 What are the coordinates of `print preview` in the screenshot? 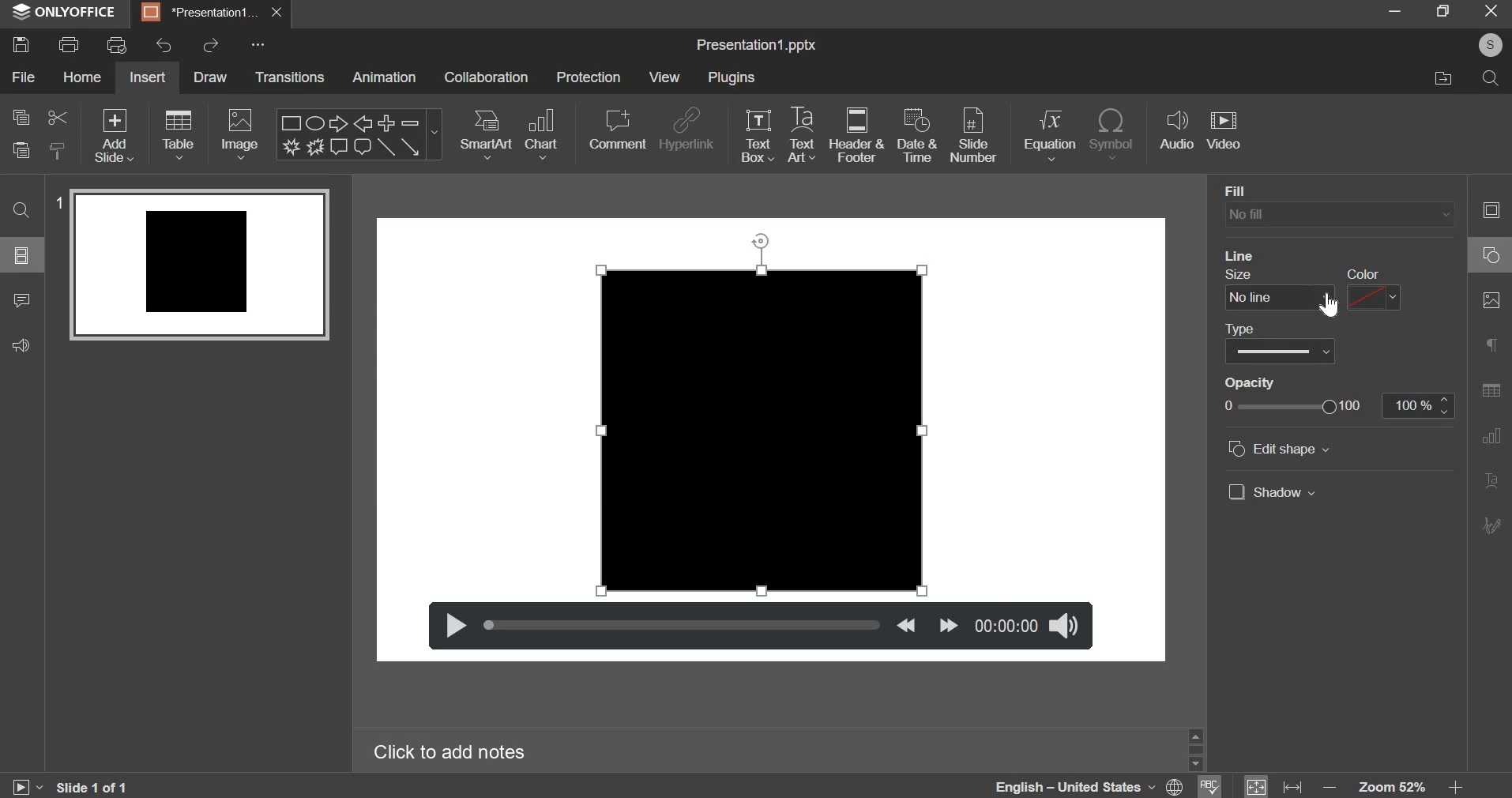 It's located at (115, 45).